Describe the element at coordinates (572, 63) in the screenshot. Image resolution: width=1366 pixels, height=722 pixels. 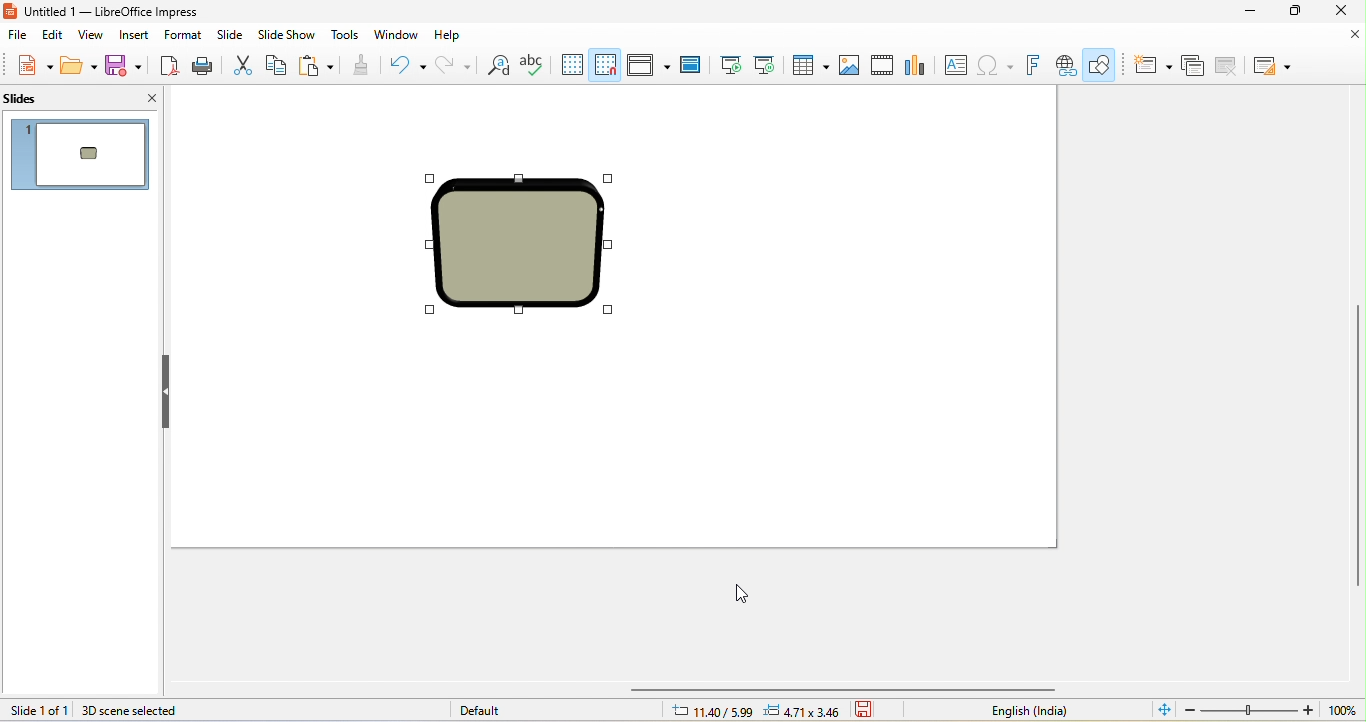
I see `display grid` at that location.